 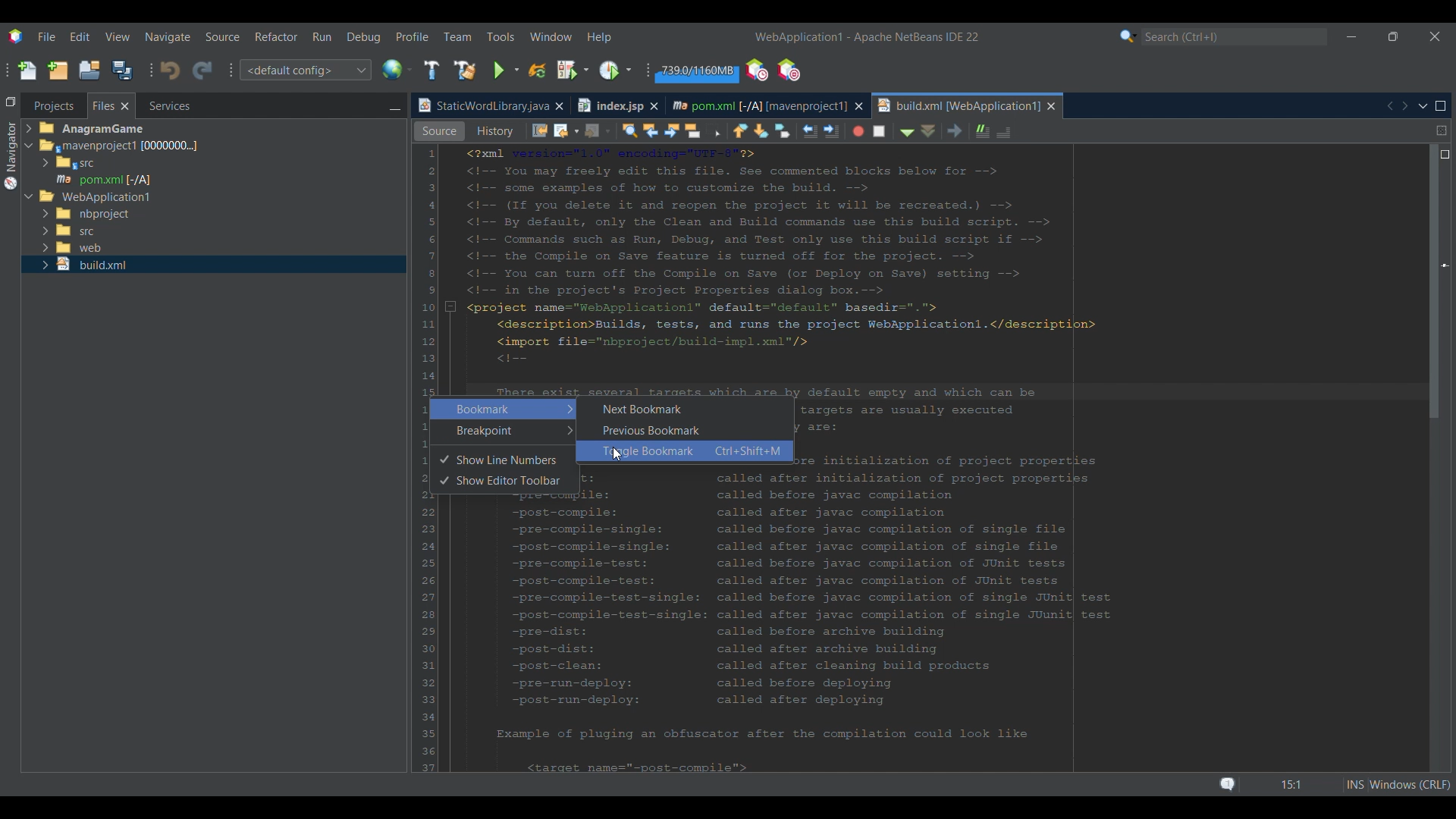 I want to click on Selected tab highlighted, so click(x=281, y=145).